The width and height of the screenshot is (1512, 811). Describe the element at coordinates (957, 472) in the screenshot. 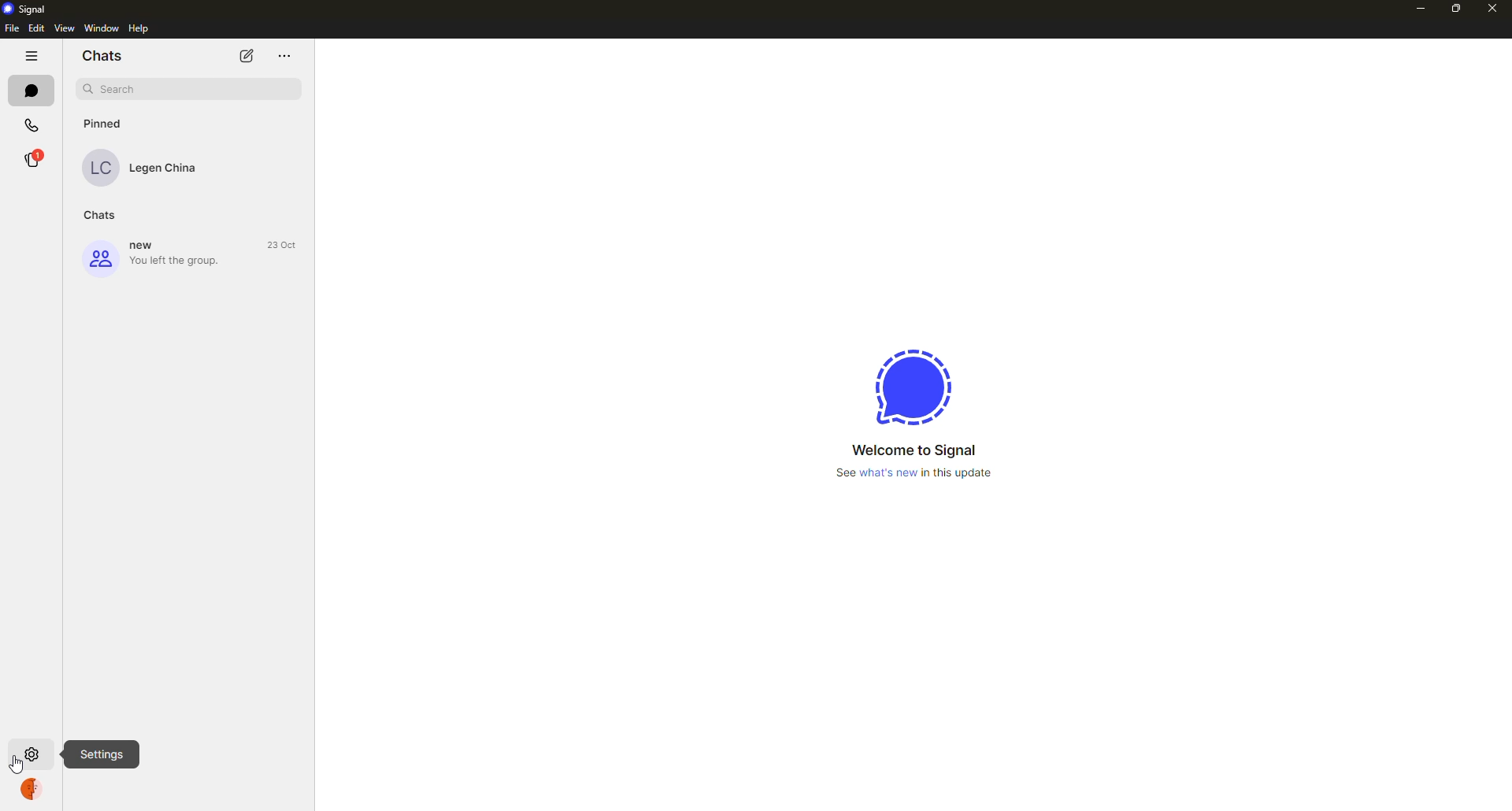

I see `in this update` at that location.